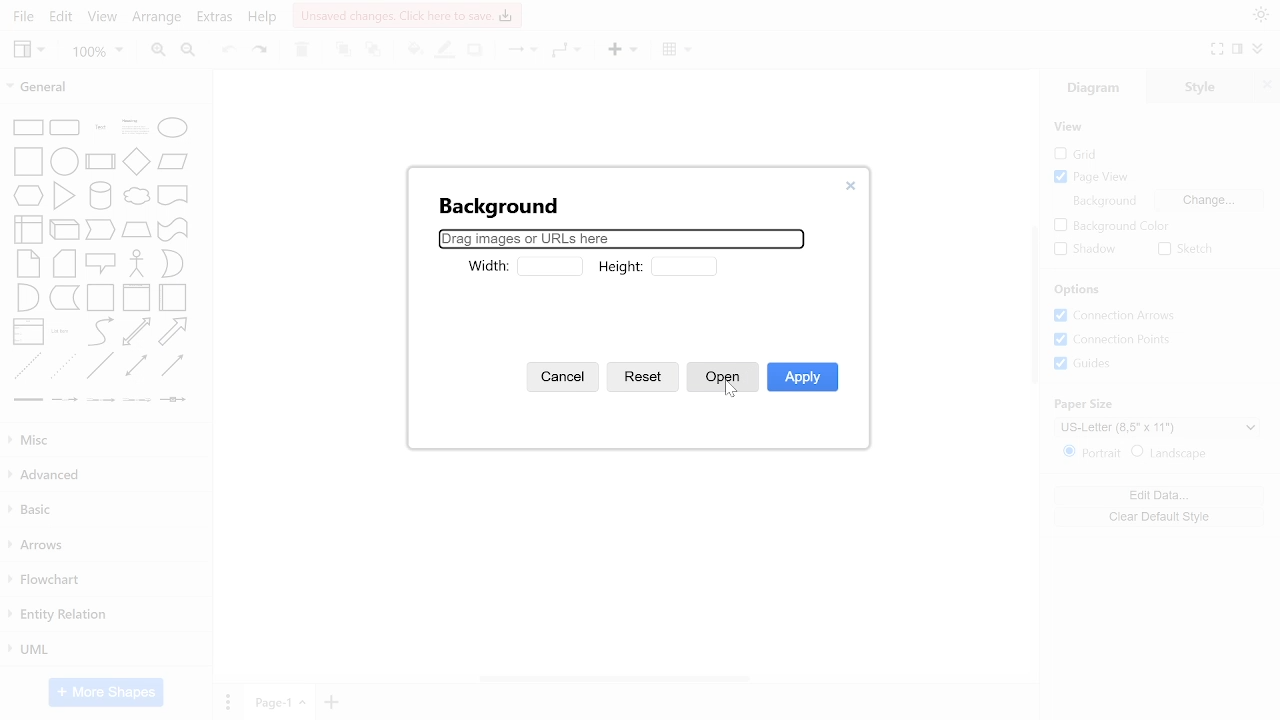 The image size is (1280, 720). What do you see at coordinates (1103, 201) in the screenshot?
I see `text` at bounding box center [1103, 201].